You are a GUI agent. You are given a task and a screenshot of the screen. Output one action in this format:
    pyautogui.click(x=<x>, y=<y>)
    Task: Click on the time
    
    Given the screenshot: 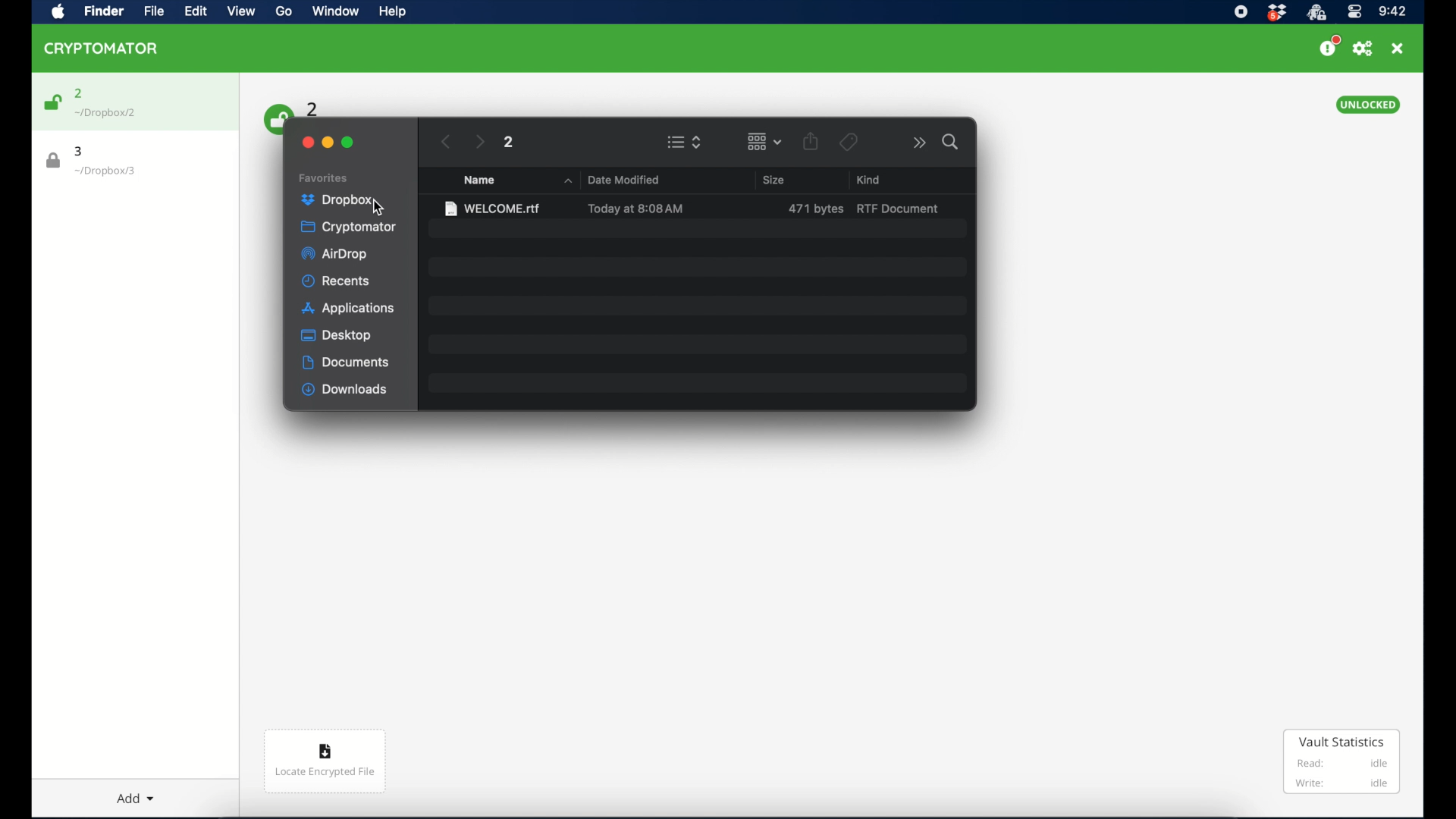 What is the action you would take?
    pyautogui.click(x=1392, y=12)
    